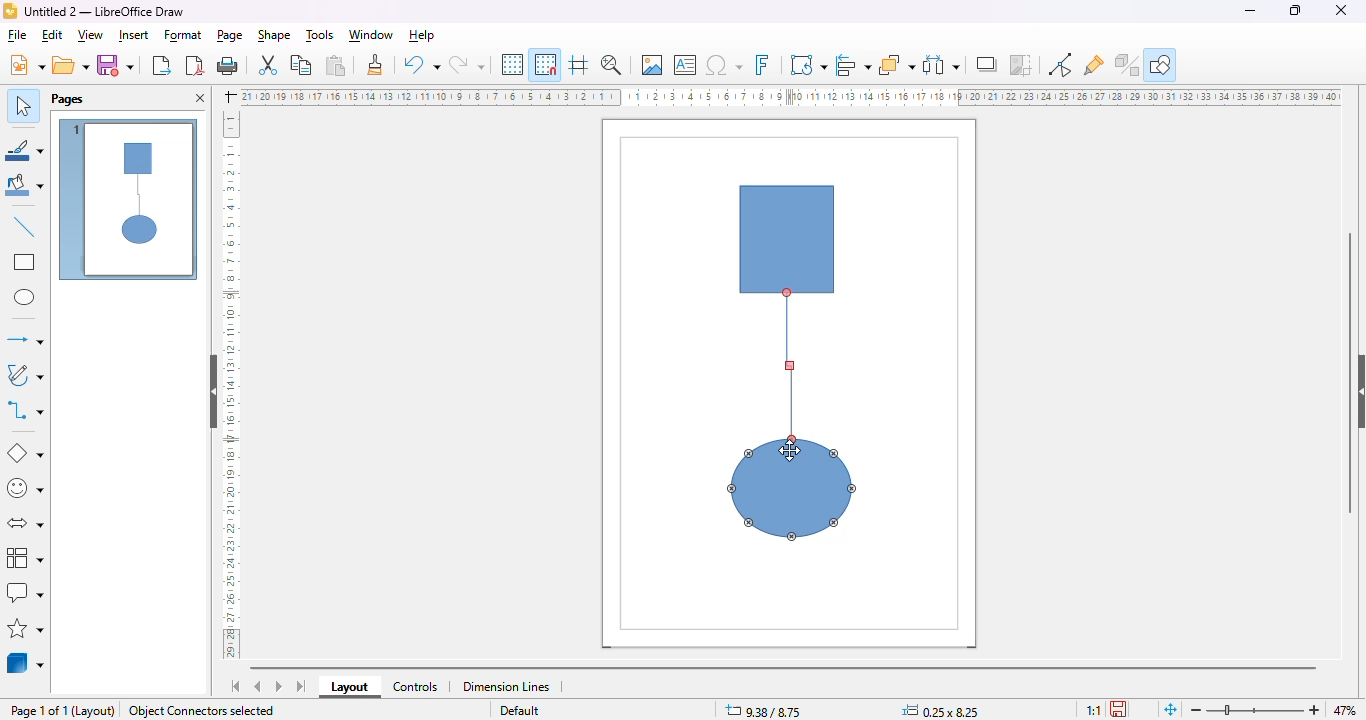 This screenshot has width=1366, height=720. What do you see at coordinates (416, 687) in the screenshot?
I see `controls` at bounding box center [416, 687].